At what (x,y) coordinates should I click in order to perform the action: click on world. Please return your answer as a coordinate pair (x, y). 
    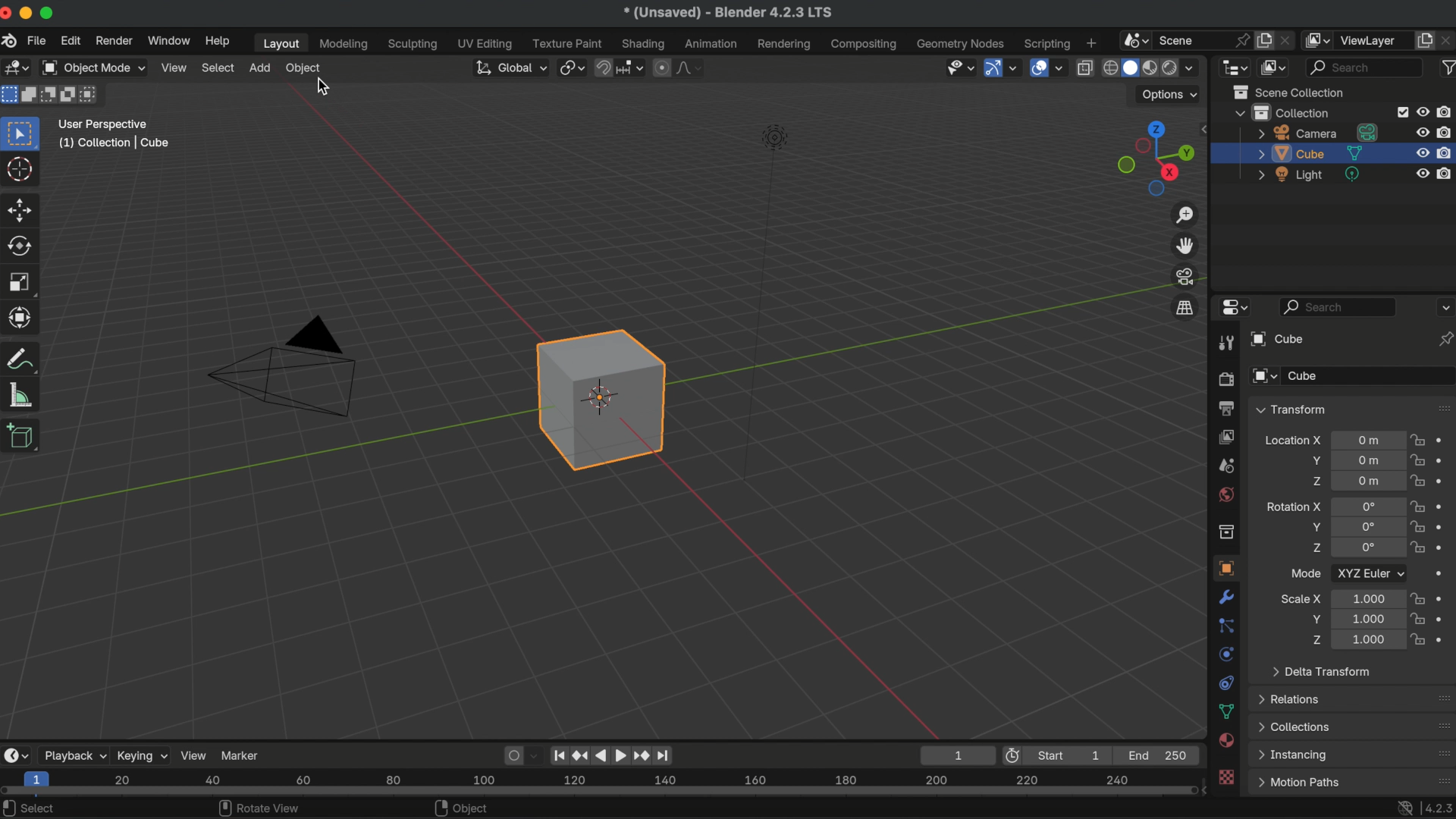
    Looking at the image, I should click on (1225, 494).